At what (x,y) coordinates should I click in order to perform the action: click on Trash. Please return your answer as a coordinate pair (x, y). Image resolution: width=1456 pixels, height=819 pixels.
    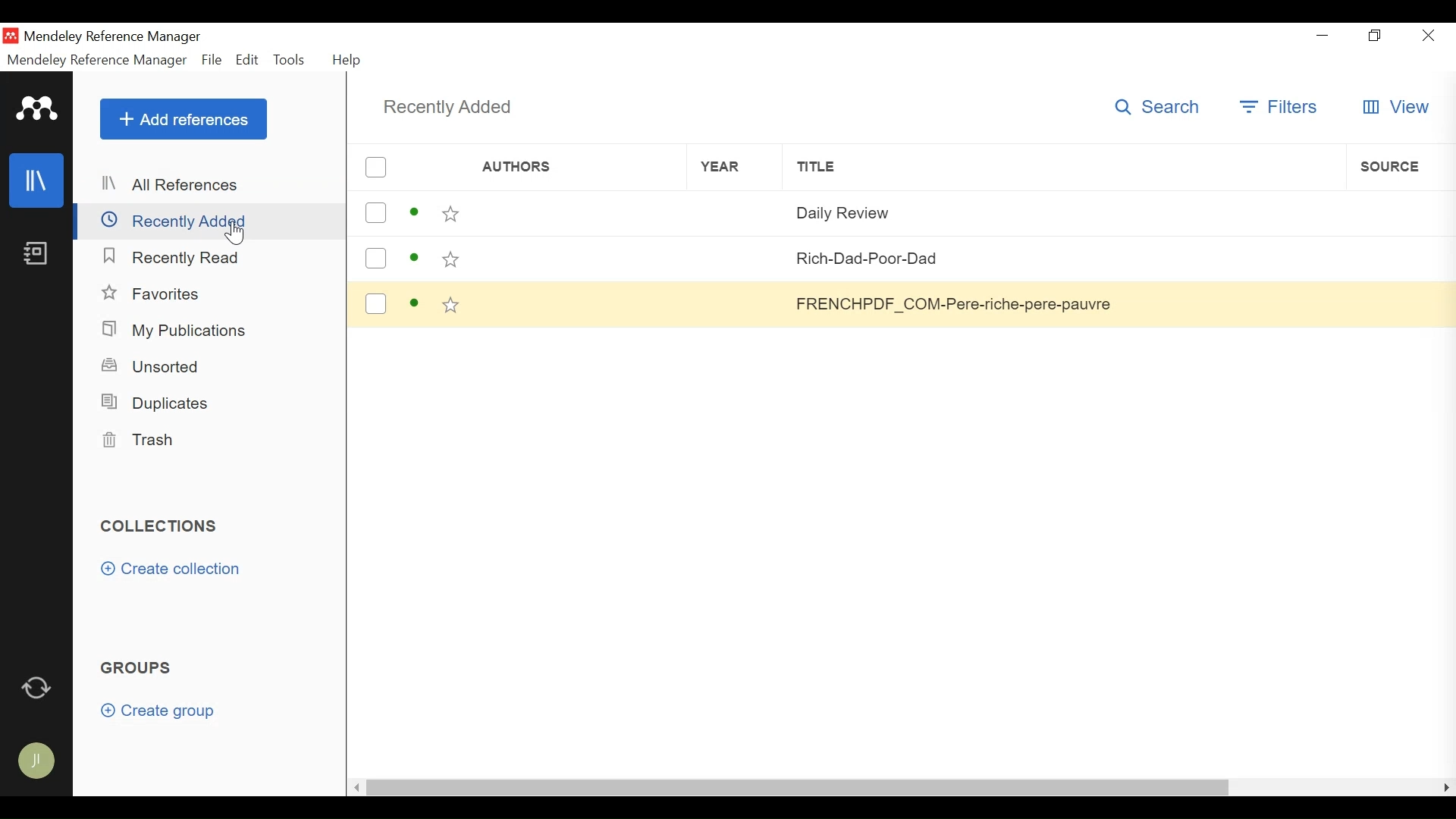
    Looking at the image, I should click on (154, 441).